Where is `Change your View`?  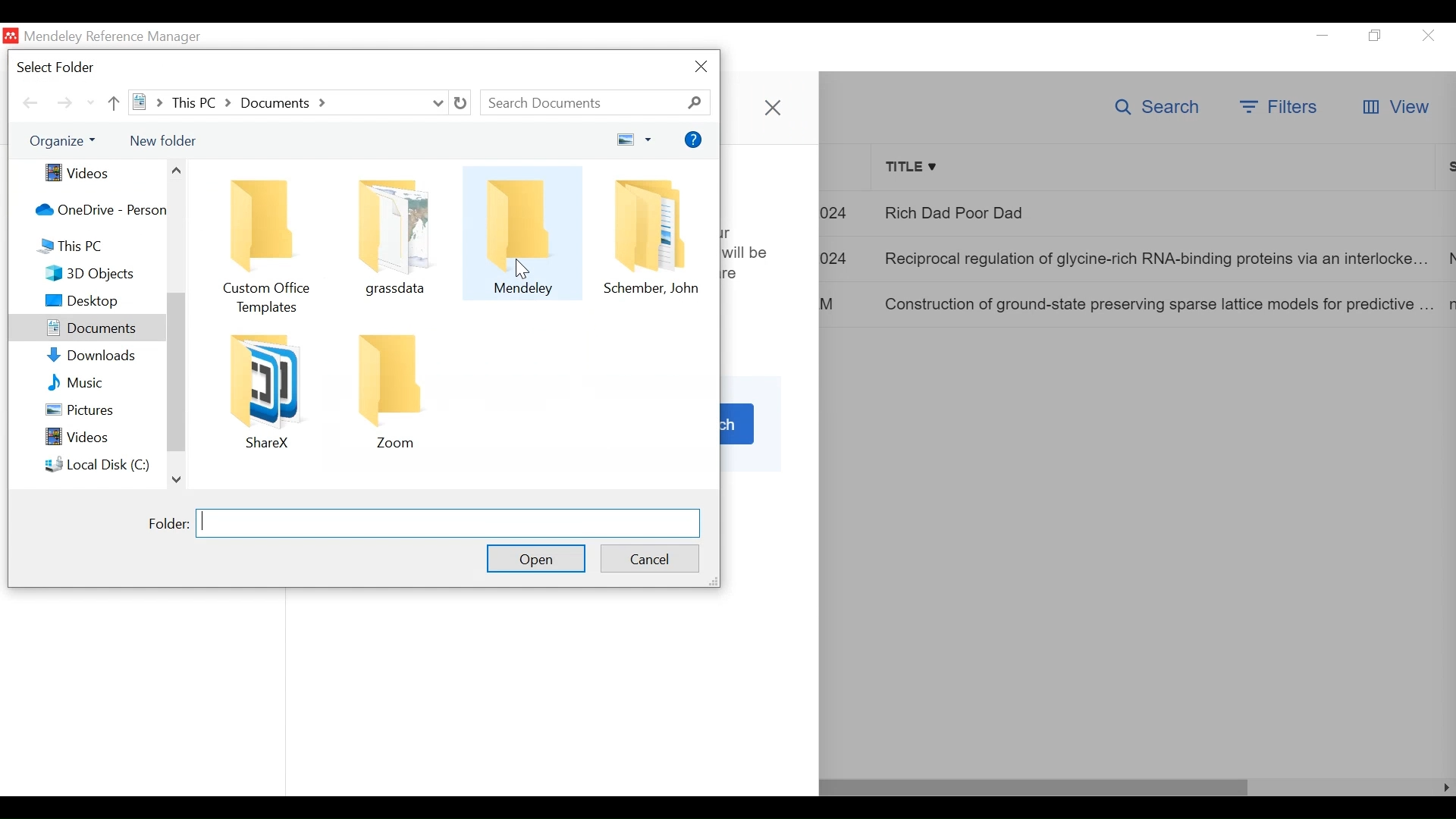 Change your View is located at coordinates (636, 139).